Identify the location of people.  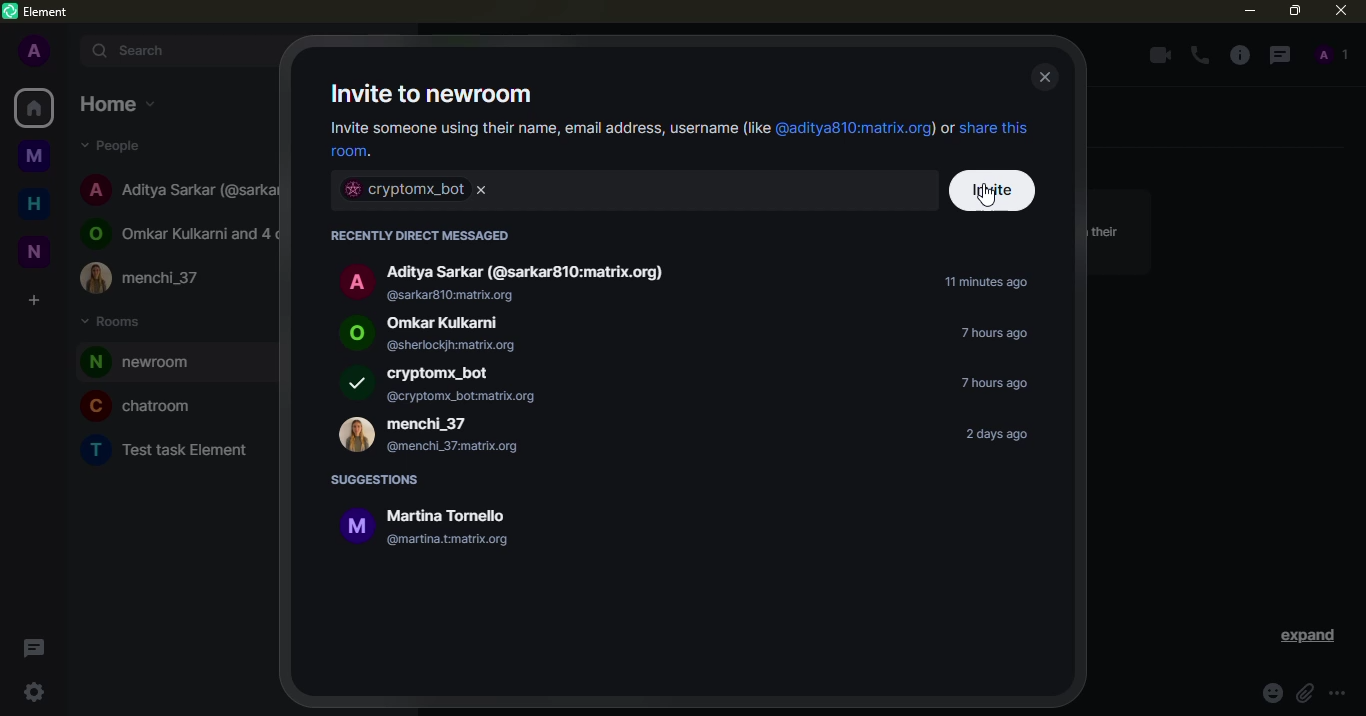
(1330, 54).